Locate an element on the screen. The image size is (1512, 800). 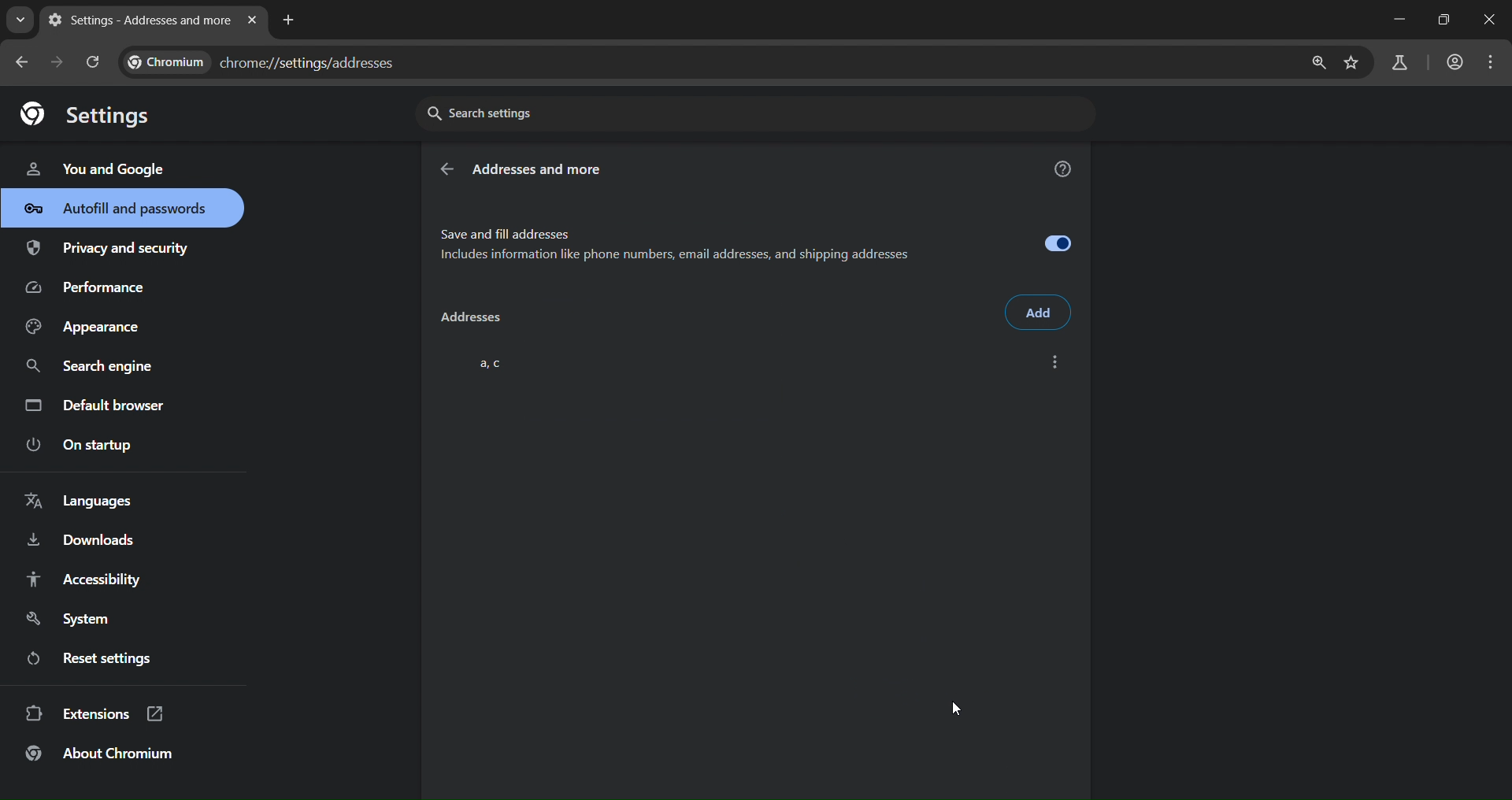
accessibility is located at coordinates (82, 579).